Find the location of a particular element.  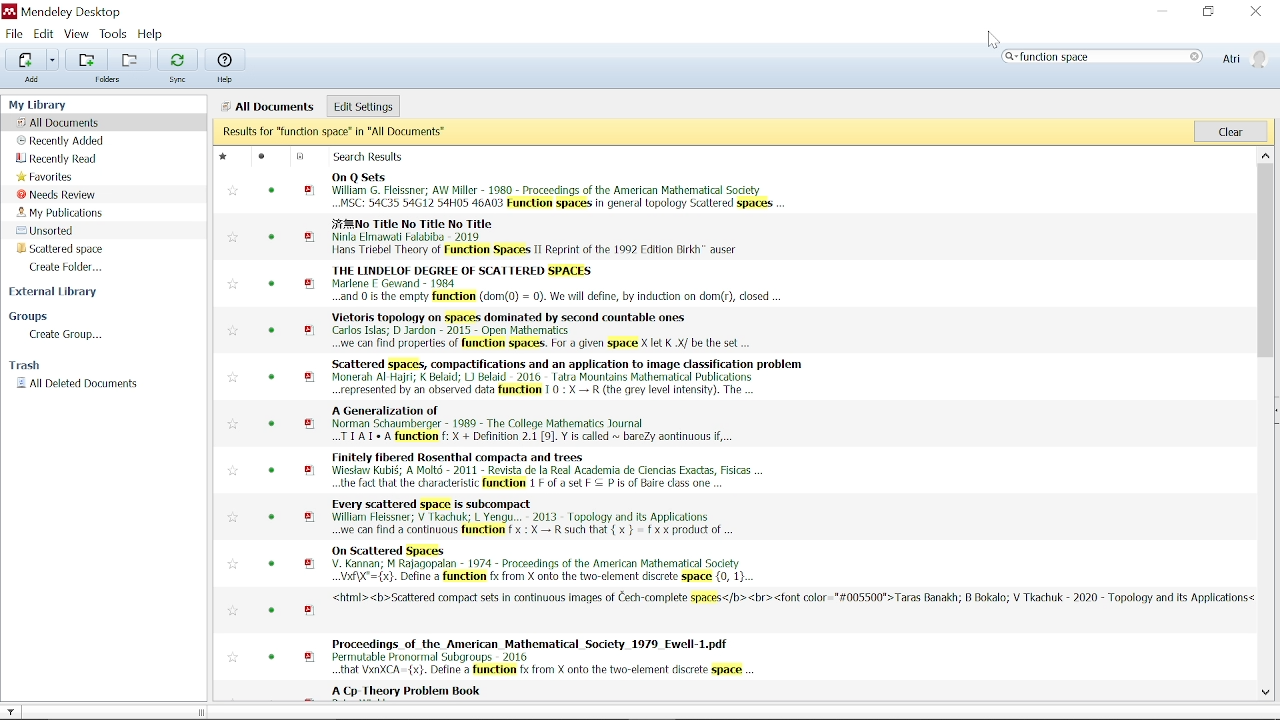

Marked as read/unread is located at coordinates (268, 157).